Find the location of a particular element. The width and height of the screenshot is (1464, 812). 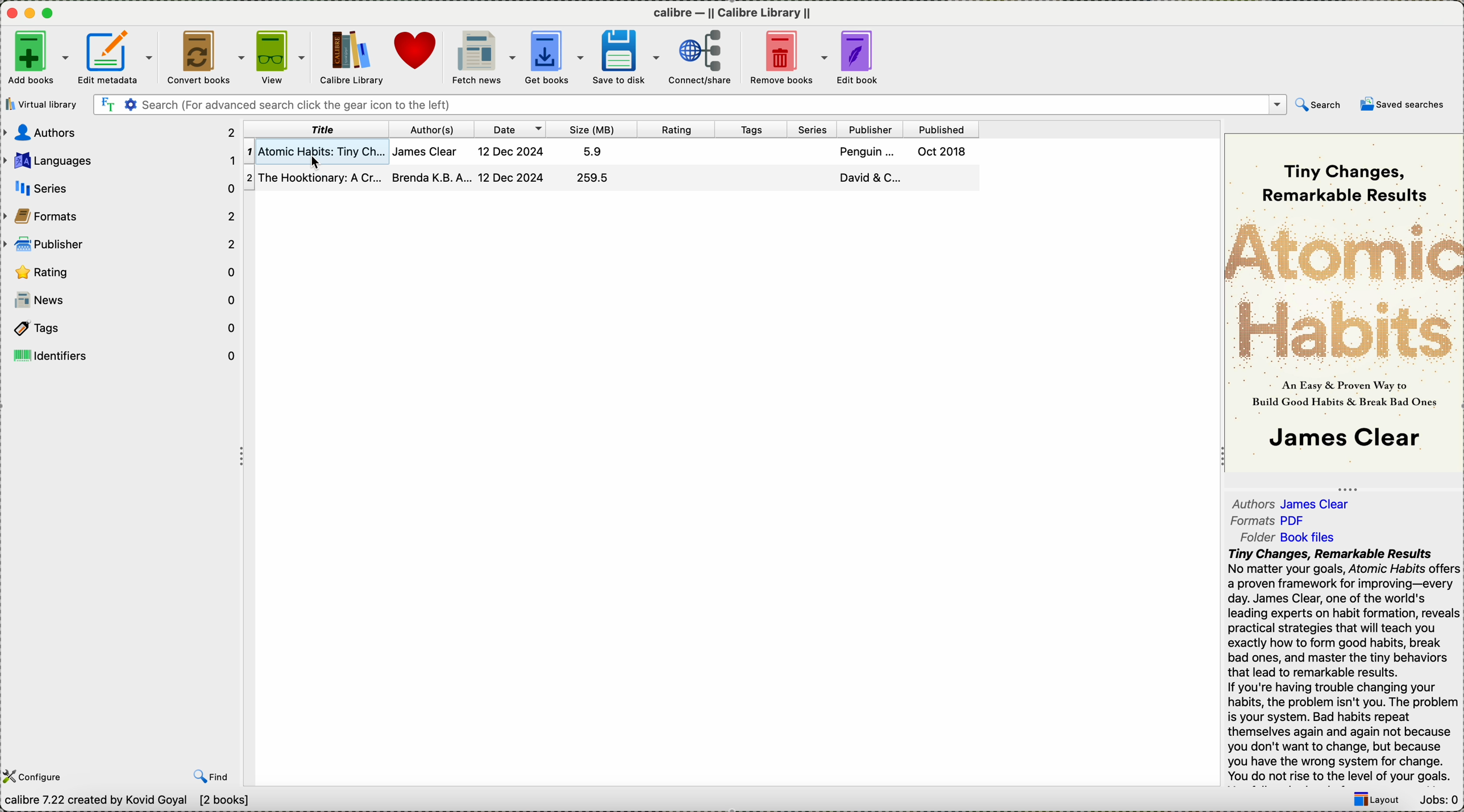

minimize is located at coordinates (30, 11).